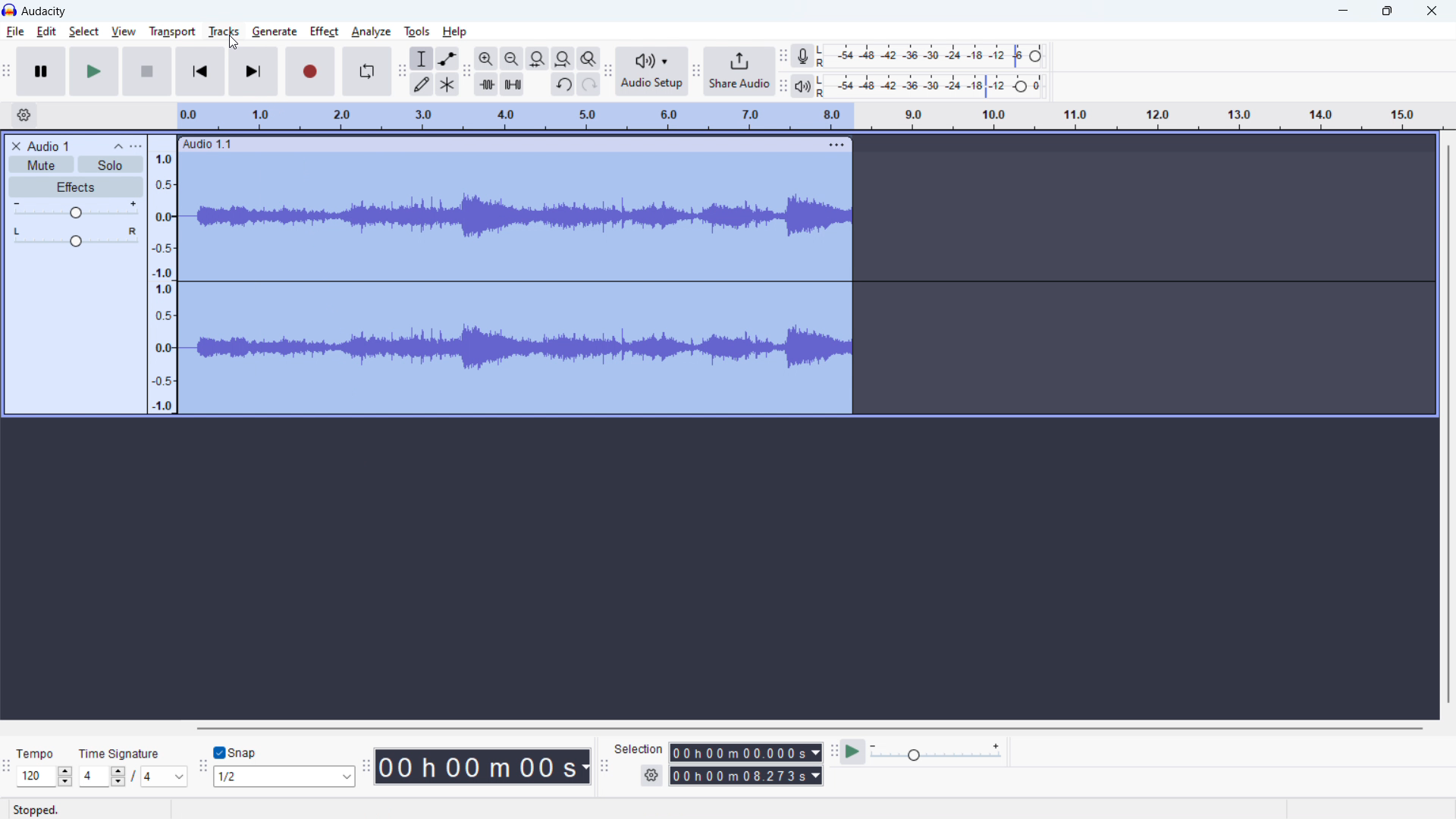  Describe the element at coordinates (807, 117) in the screenshot. I see `timeline` at that location.